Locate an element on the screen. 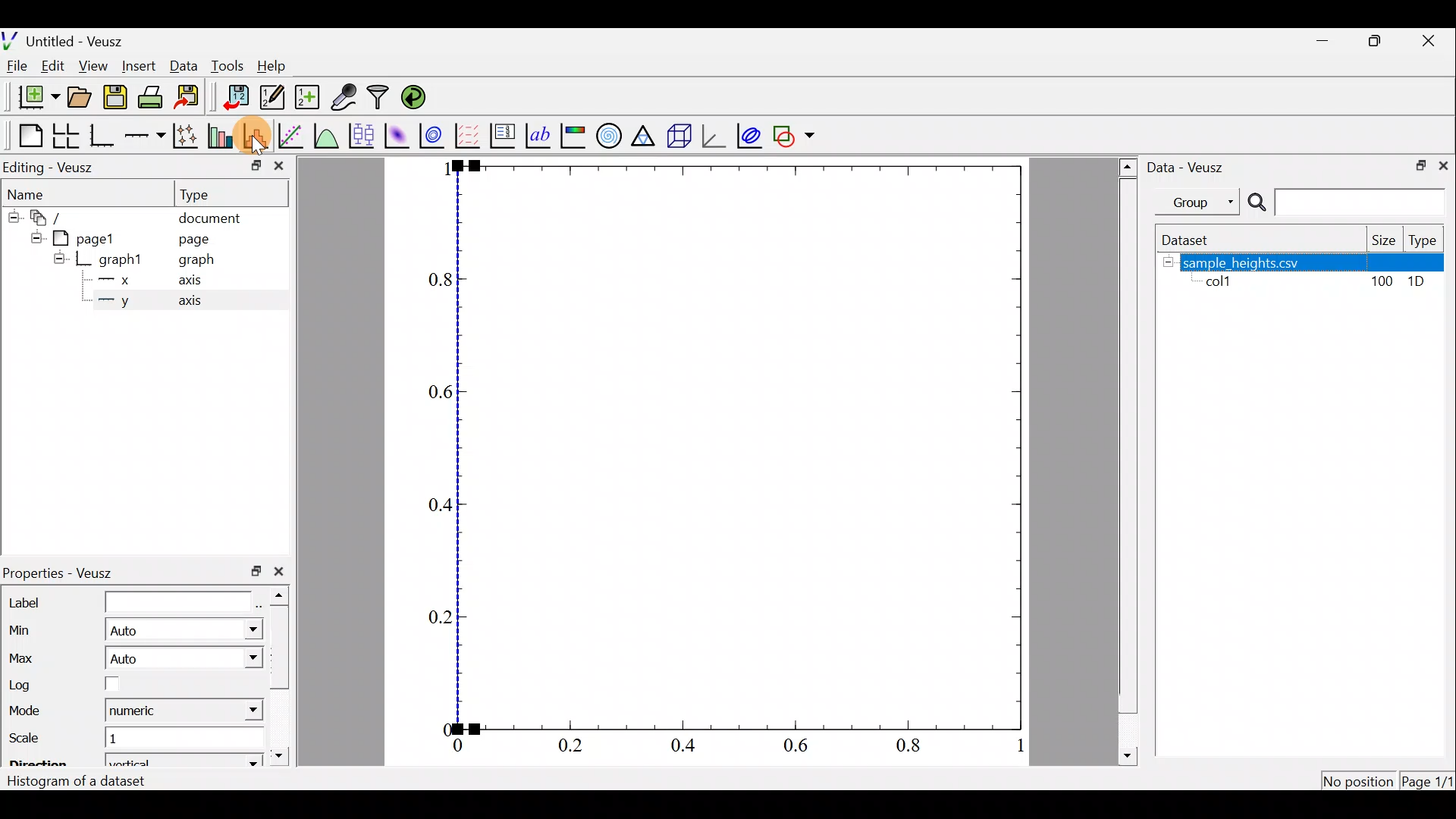  search bar is located at coordinates (1350, 202).